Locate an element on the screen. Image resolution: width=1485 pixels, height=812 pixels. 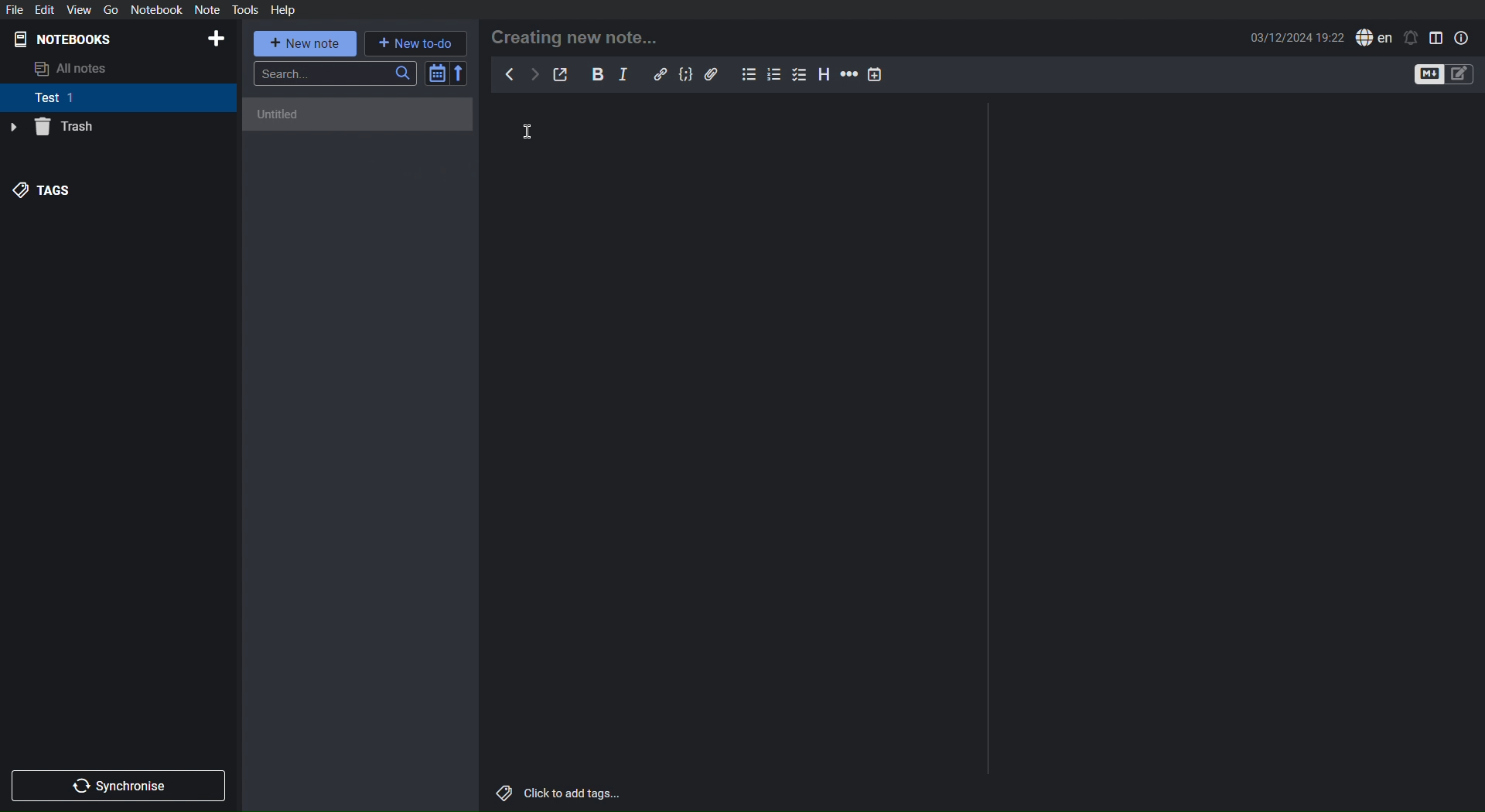
Tags is located at coordinates (43, 191).